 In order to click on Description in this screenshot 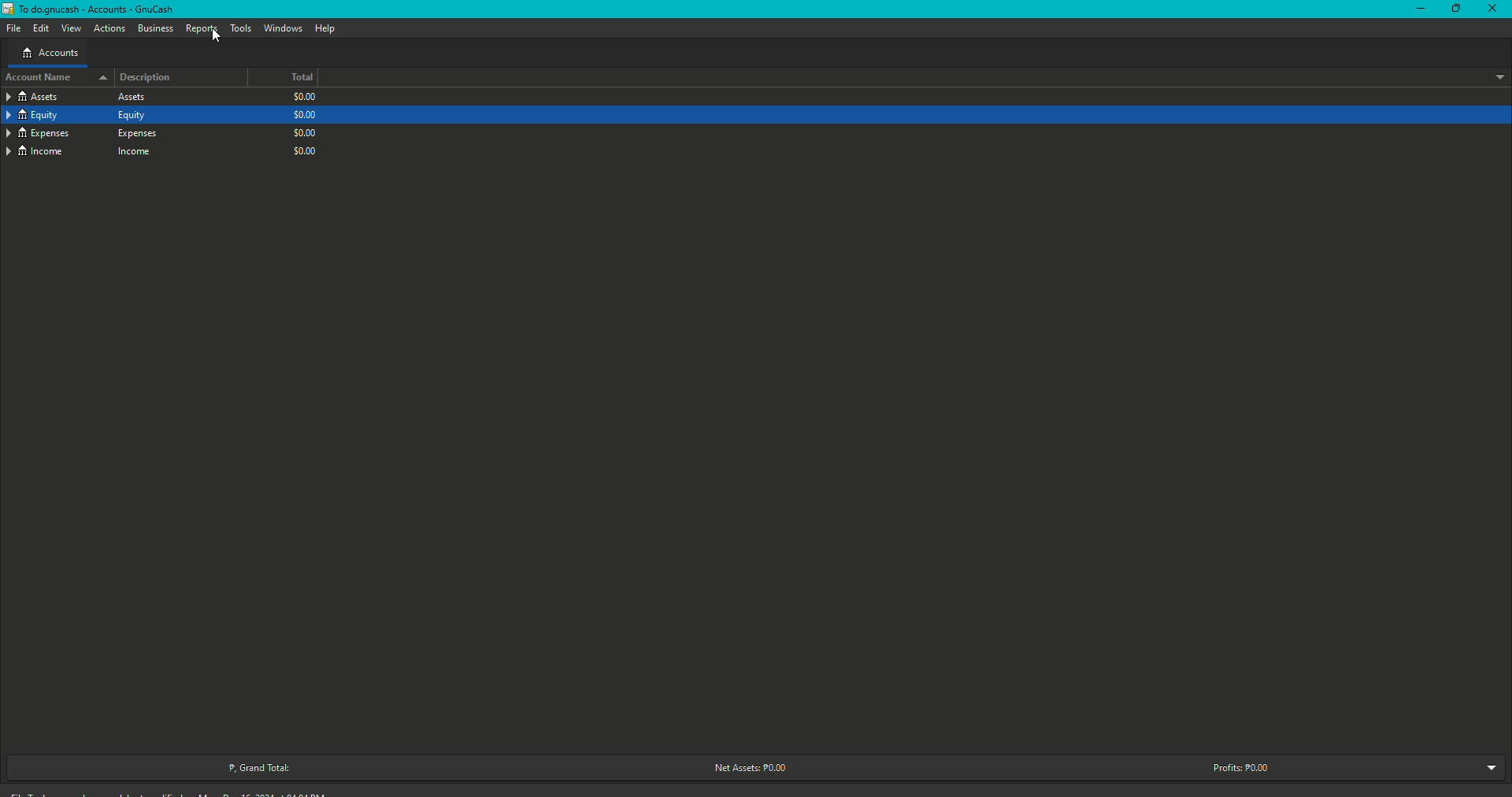, I will do `click(153, 77)`.